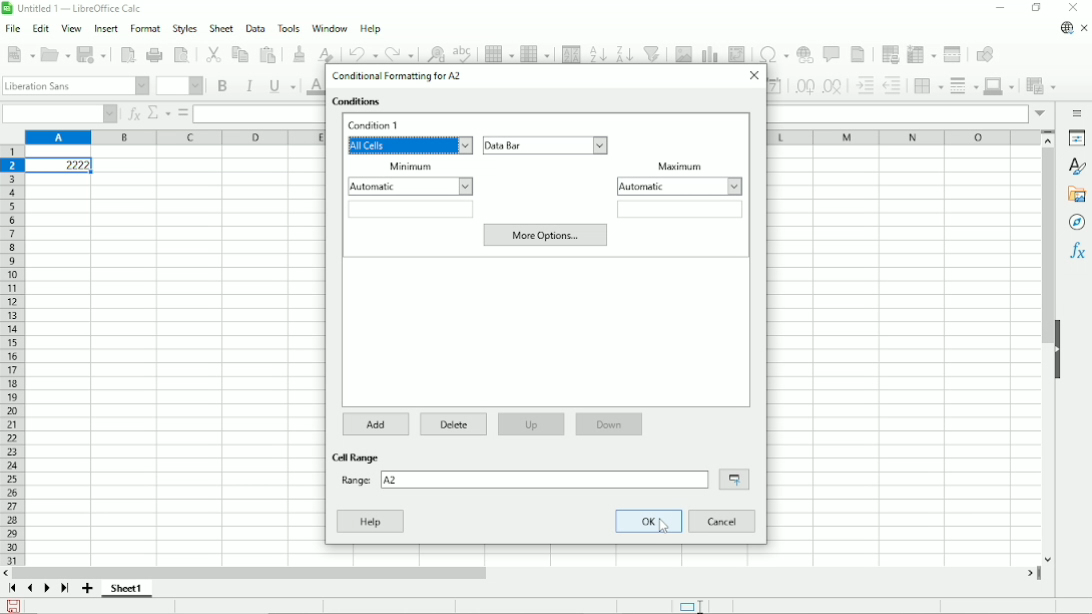 This screenshot has width=1092, height=614. What do you see at coordinates (755, 75) in the screenshot?
I see `Close` at bounding box center [755, 75].